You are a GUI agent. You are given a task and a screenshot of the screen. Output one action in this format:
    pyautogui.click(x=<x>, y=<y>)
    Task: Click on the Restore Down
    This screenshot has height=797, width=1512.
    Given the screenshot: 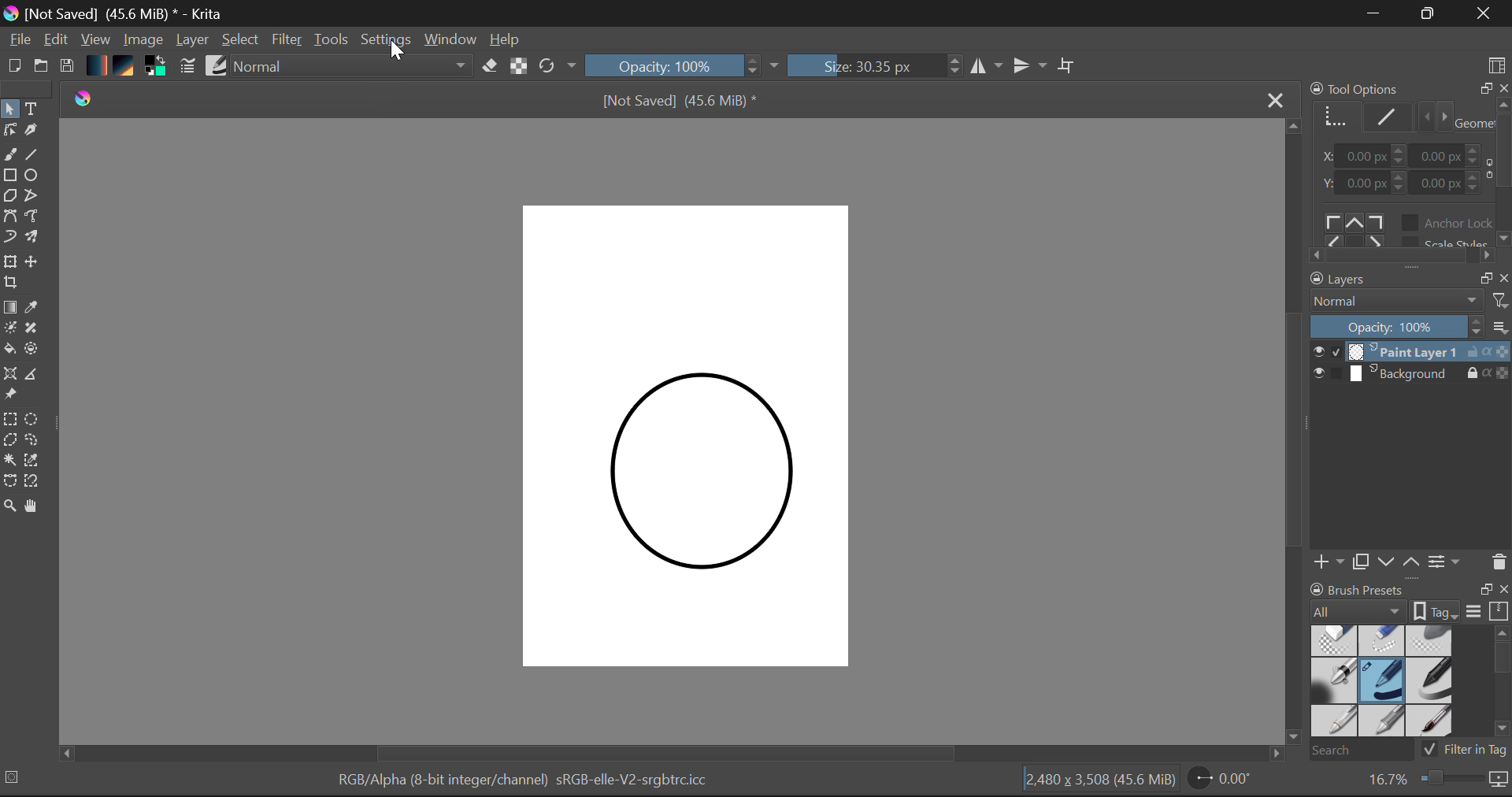 What is the action you would take?
    pyautogui.click(x=1374, y=14)
    